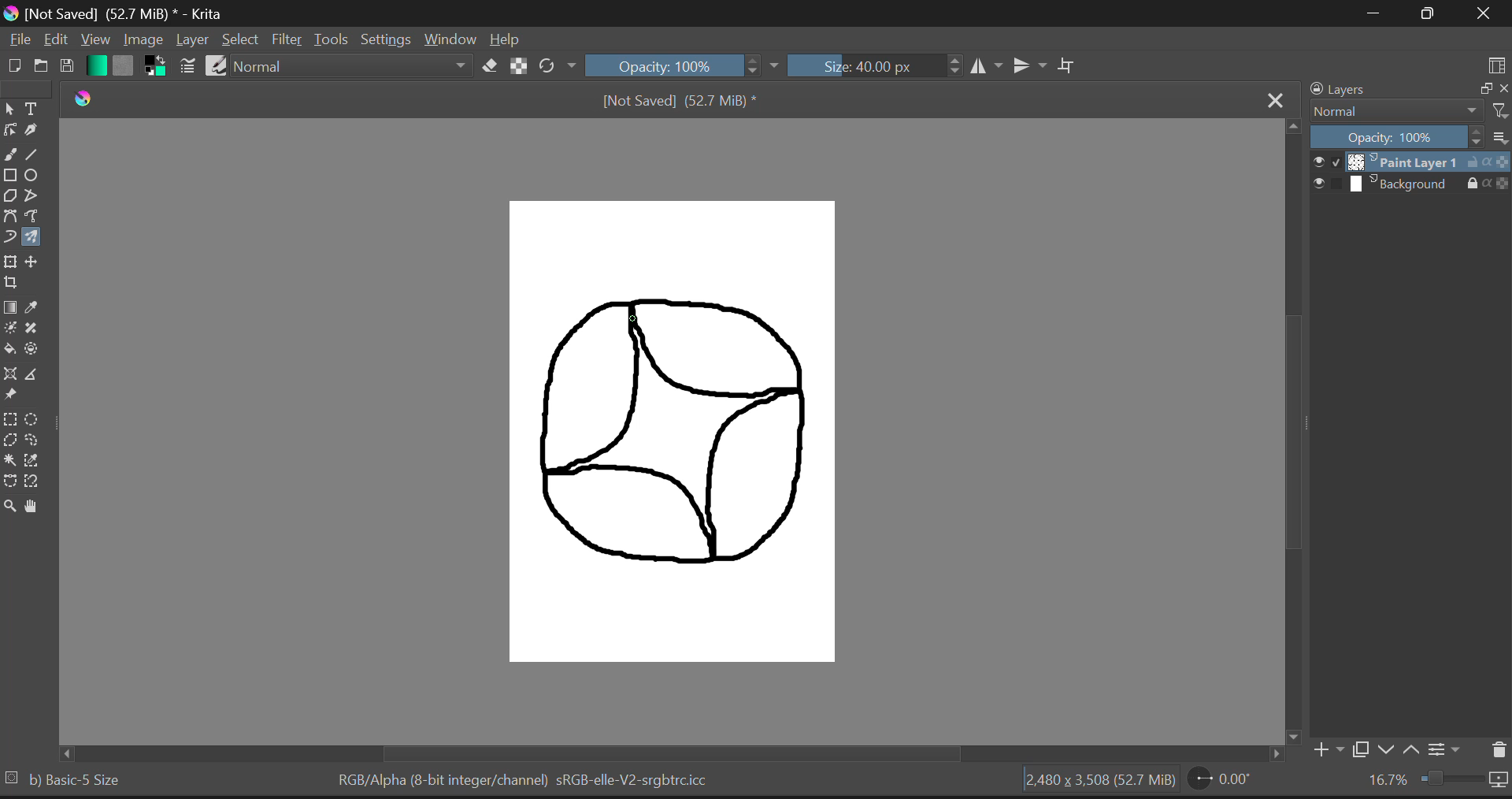 The image size is (1512, 799). Describe the element at coordinates (449, 40) in the screenshot. I see `Window` at that location.